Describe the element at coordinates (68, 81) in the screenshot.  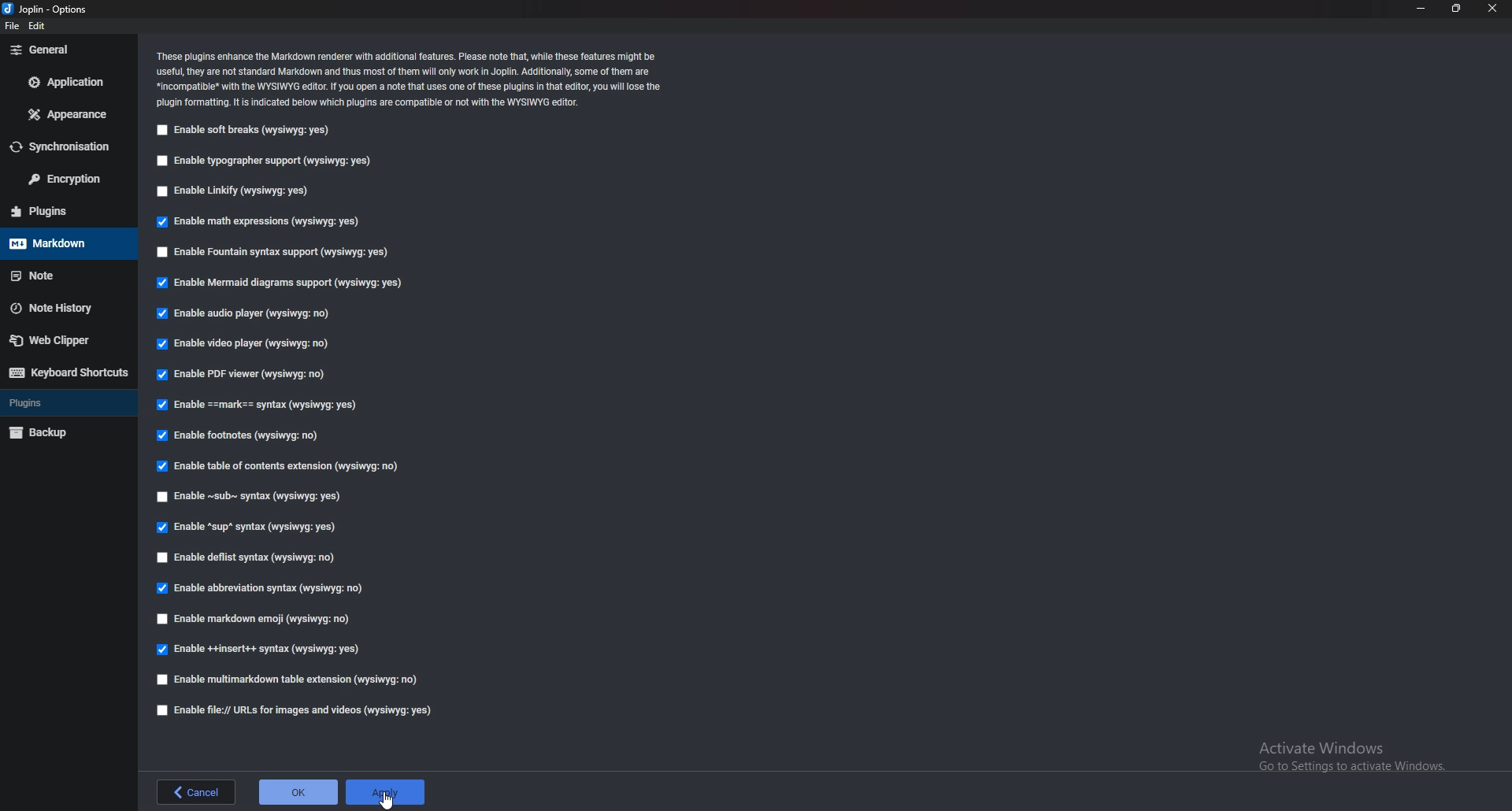
I see `Application` at that location.